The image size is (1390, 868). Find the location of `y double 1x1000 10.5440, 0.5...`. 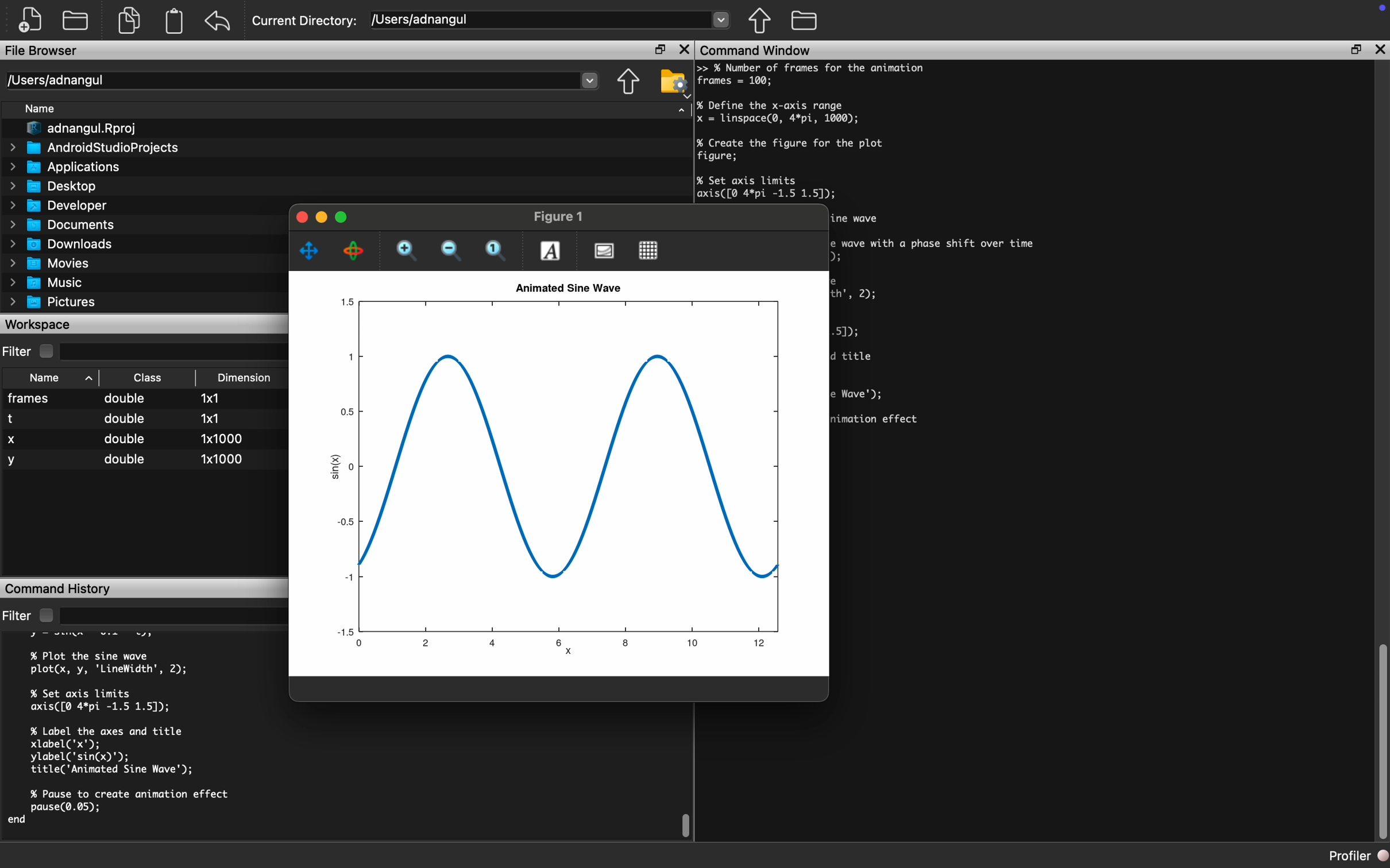

y double 1x1000 10.5440, 0.5... is located at coordinates (148, 460).